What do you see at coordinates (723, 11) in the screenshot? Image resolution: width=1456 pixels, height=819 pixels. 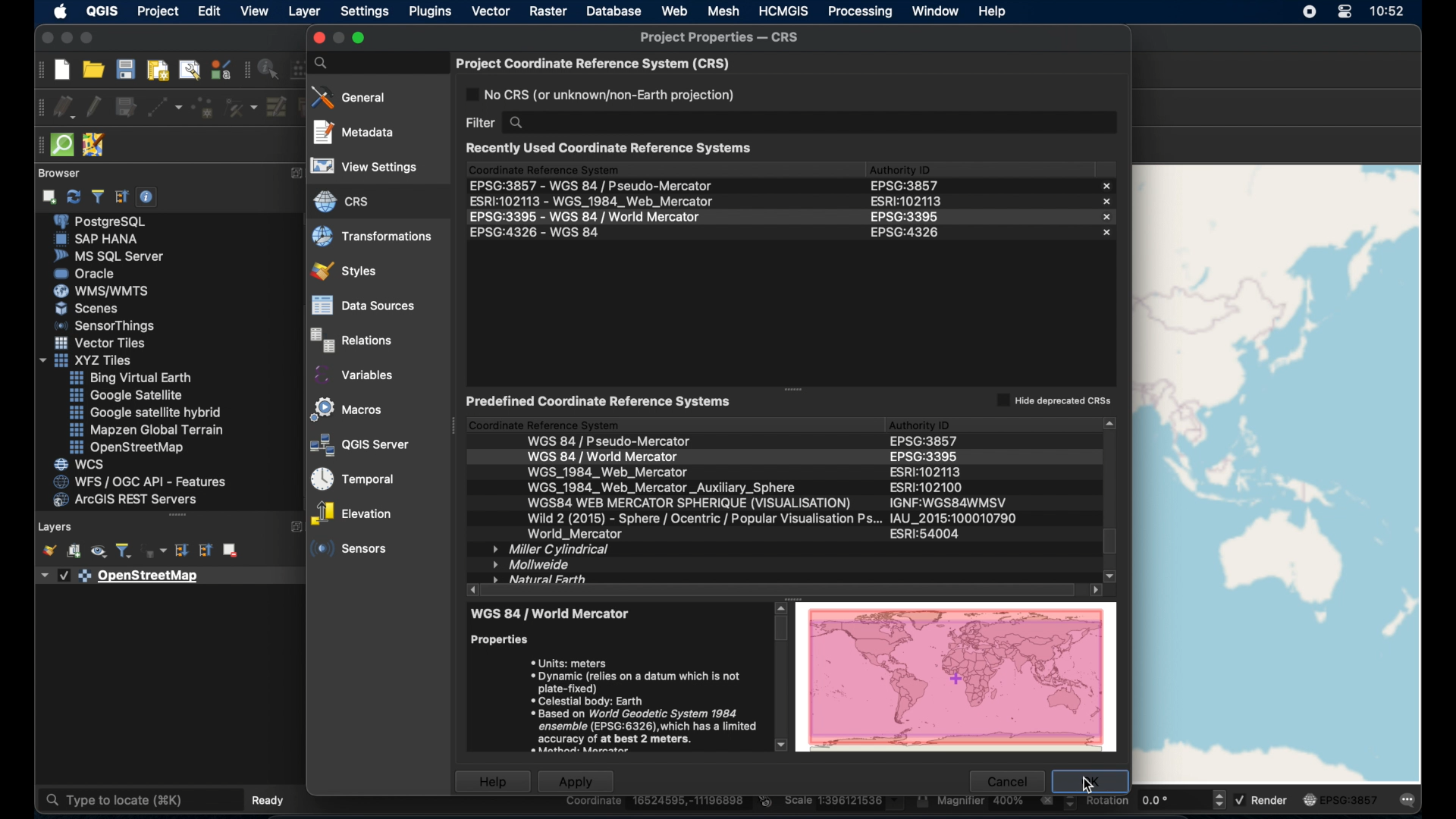 I see `mesh` at bounding box center [723, 11].